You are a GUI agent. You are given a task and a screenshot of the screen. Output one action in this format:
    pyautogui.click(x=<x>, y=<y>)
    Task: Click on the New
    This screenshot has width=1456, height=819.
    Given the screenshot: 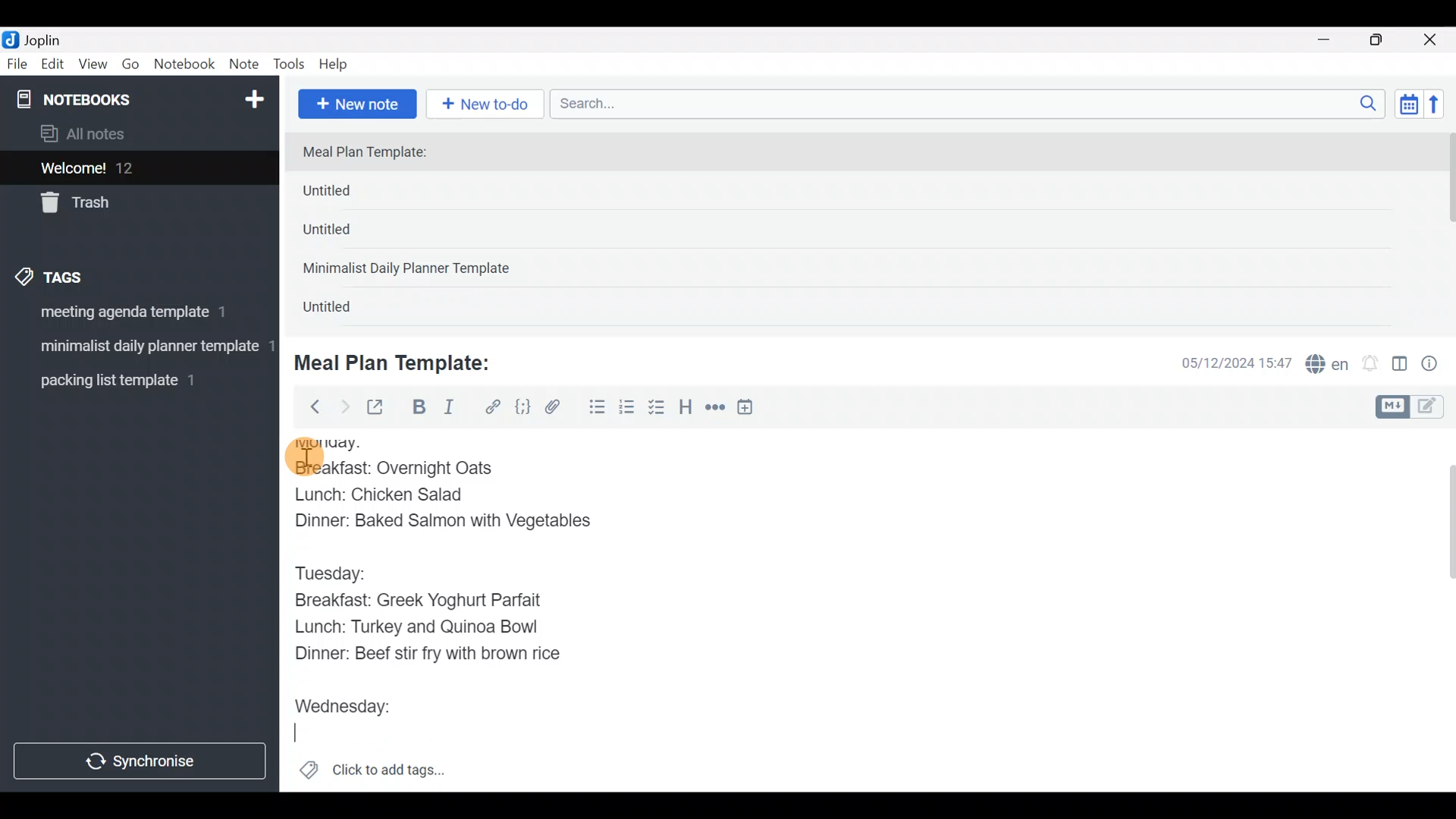 What is the action you would take?
    pyautogui.click(x=253, y=96)
    